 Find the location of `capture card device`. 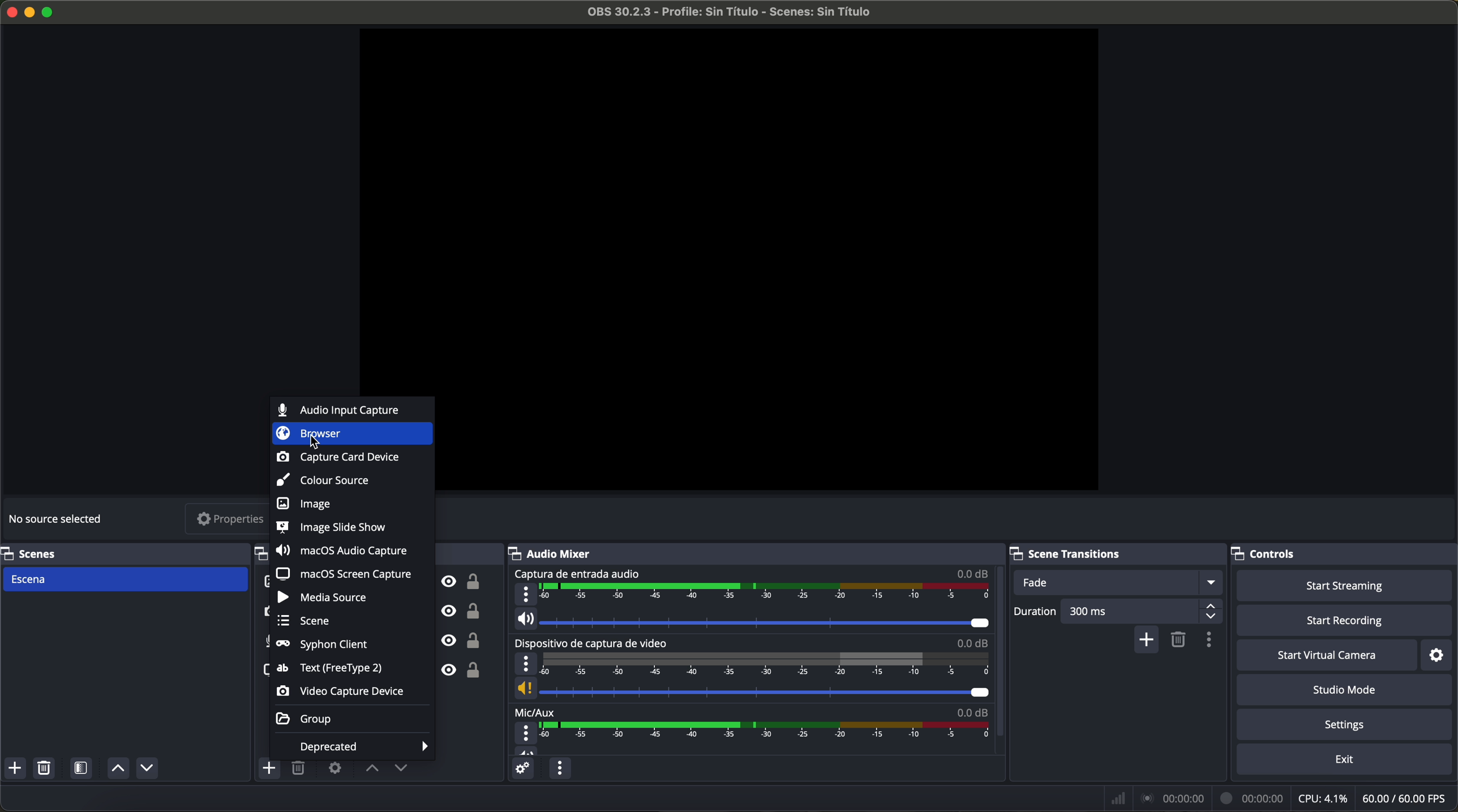

capture card device is located at coordinates (340, 459).